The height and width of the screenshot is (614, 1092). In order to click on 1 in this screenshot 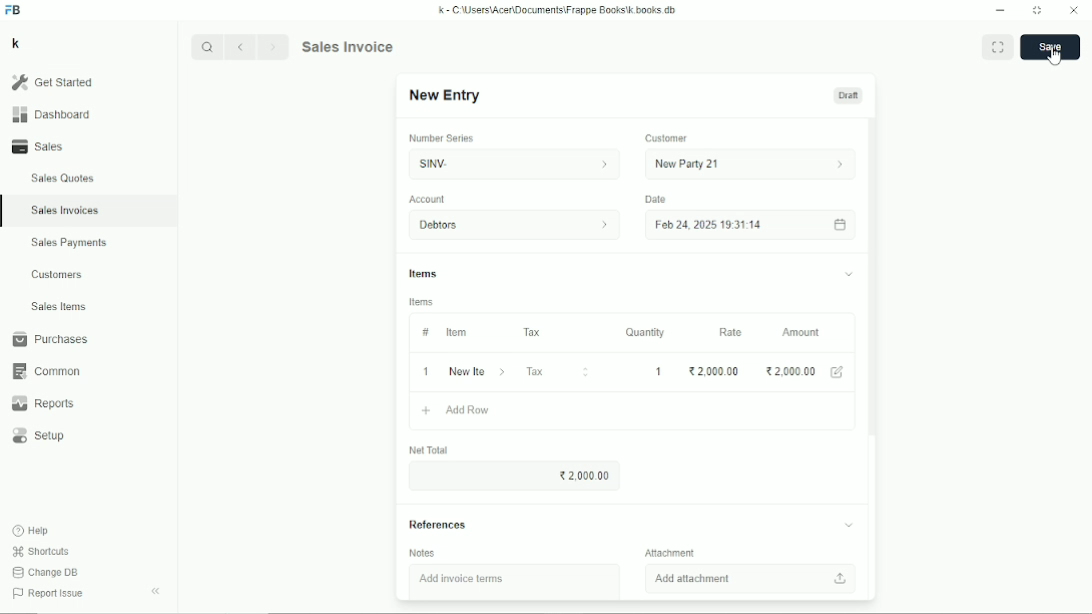, I will do `click(426, 371)`.